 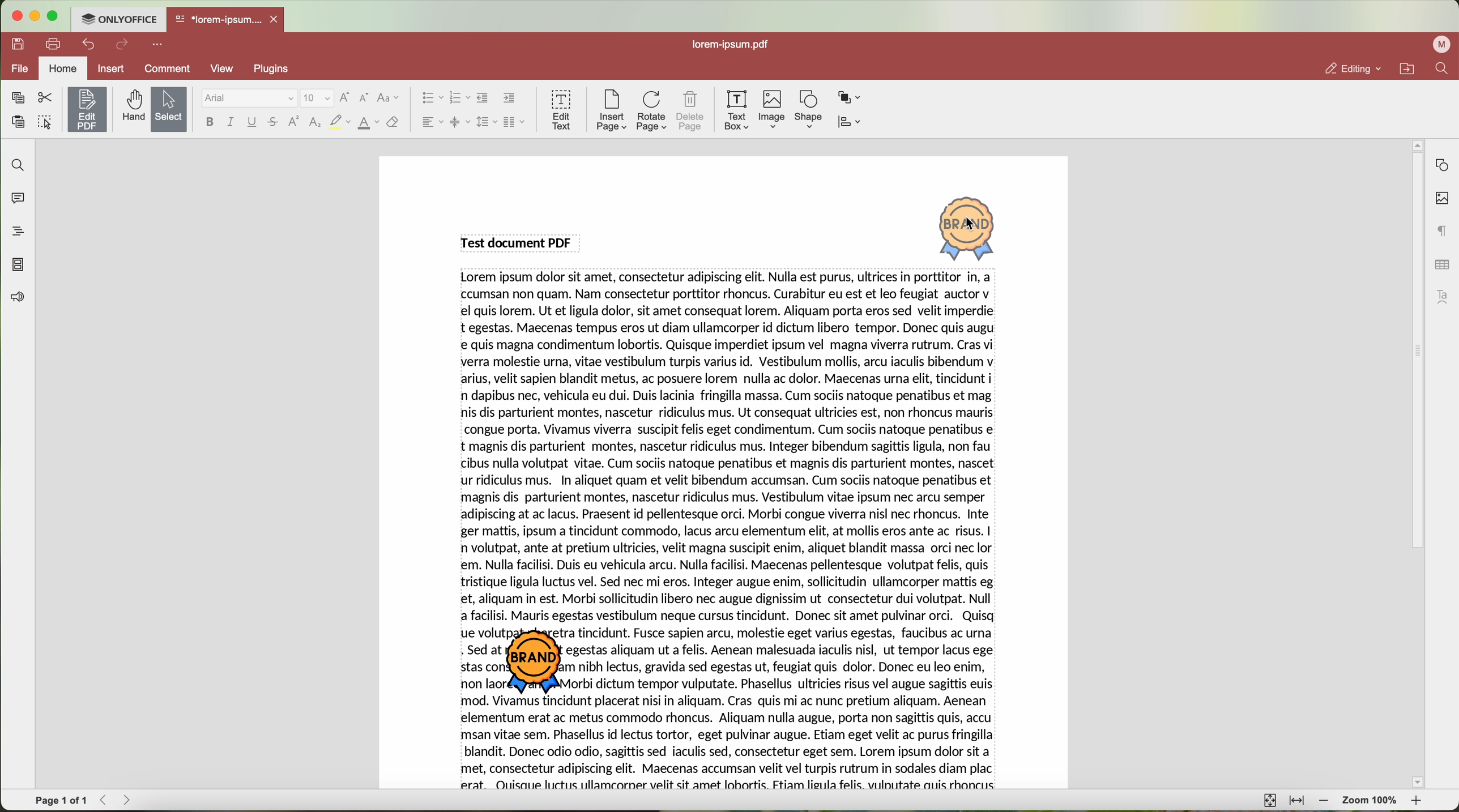 I want to click on paste, so click(x=18, y=122).